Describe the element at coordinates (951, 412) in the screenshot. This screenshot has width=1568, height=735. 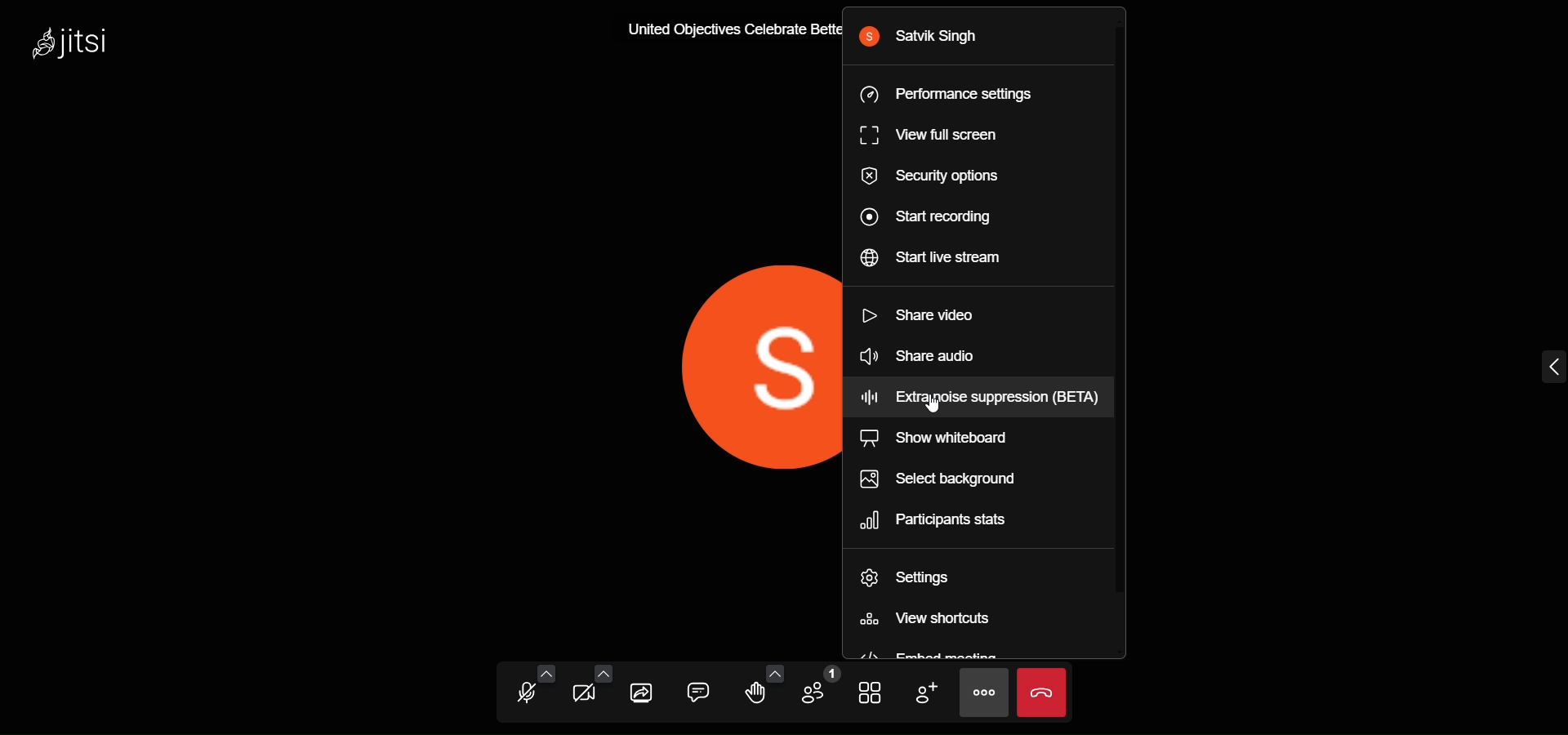
I see `cursor` at that location.